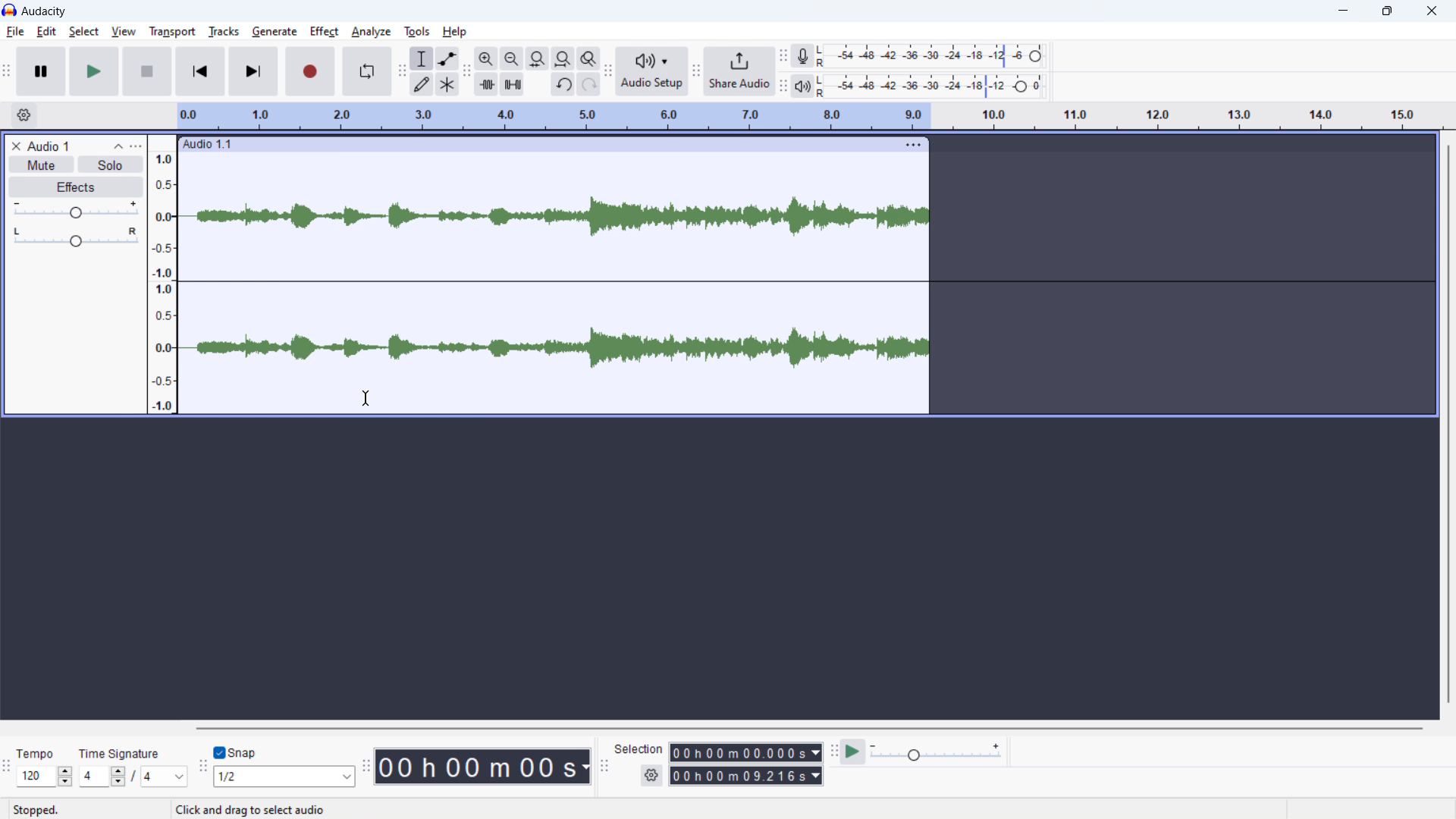  I want to click on start time, so click(745, 753).